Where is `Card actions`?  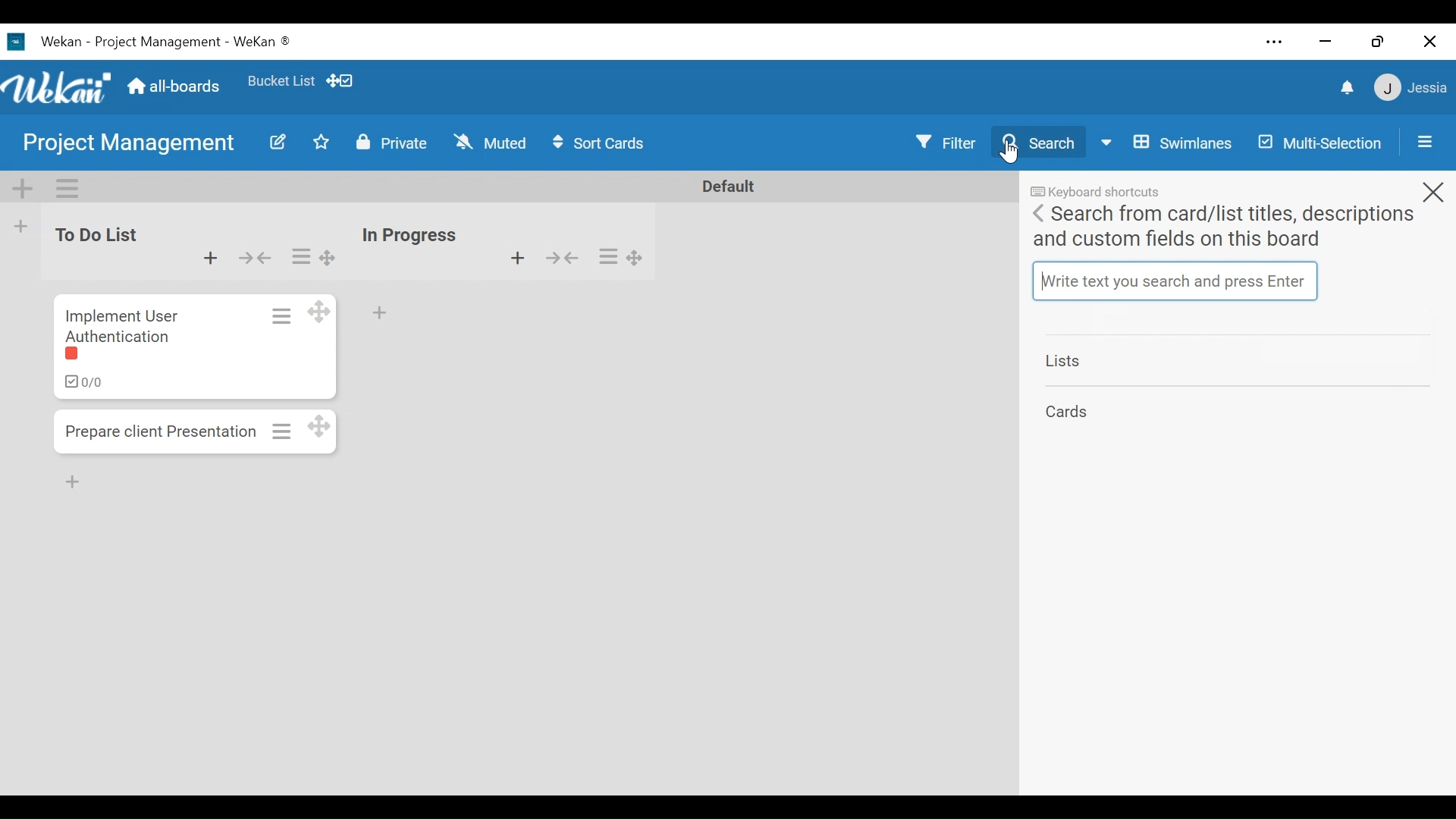
Card actions is located at coordinates (283, 430).